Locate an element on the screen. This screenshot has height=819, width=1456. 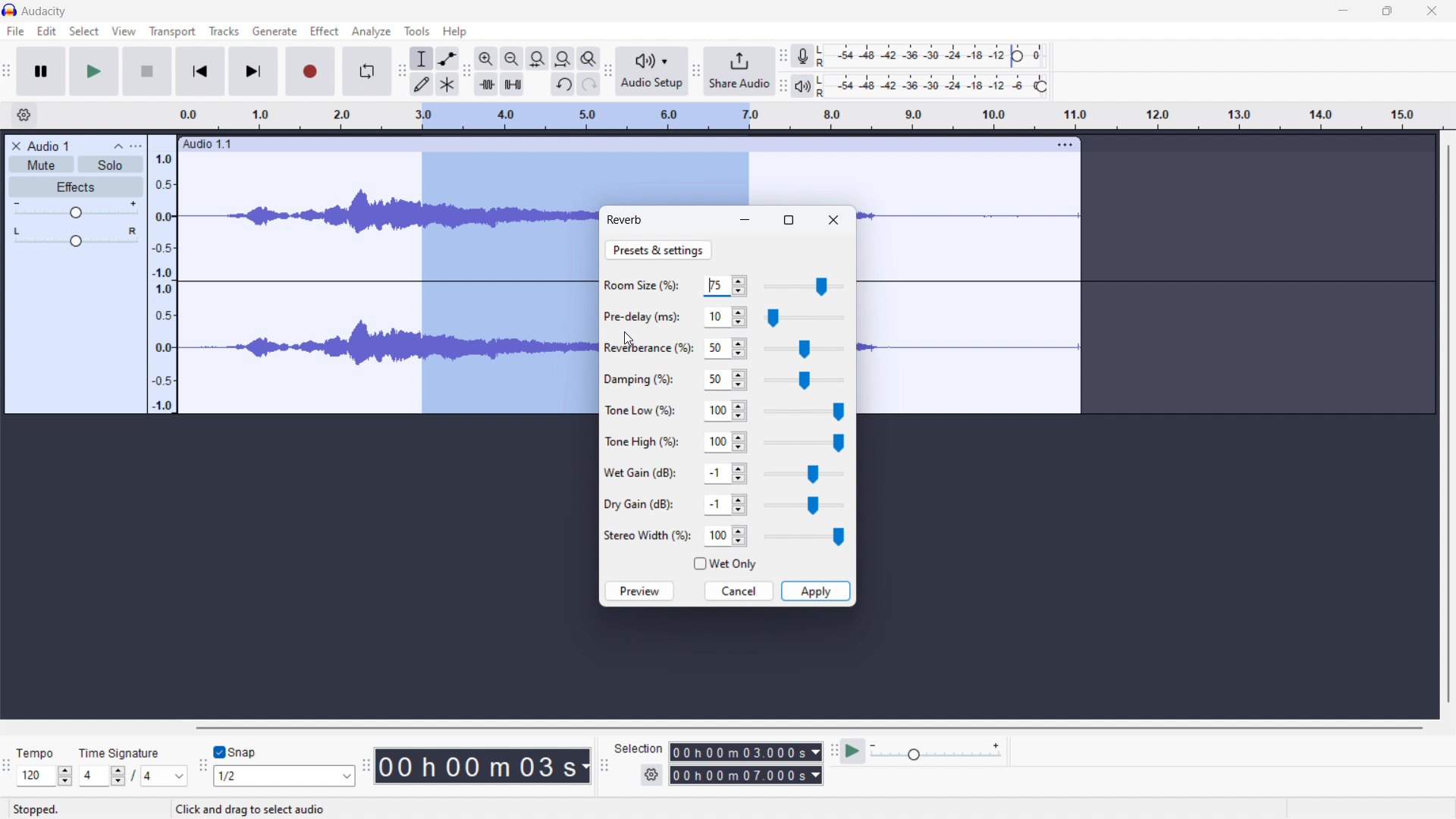
wet only  is located at coordinates (726, 563).